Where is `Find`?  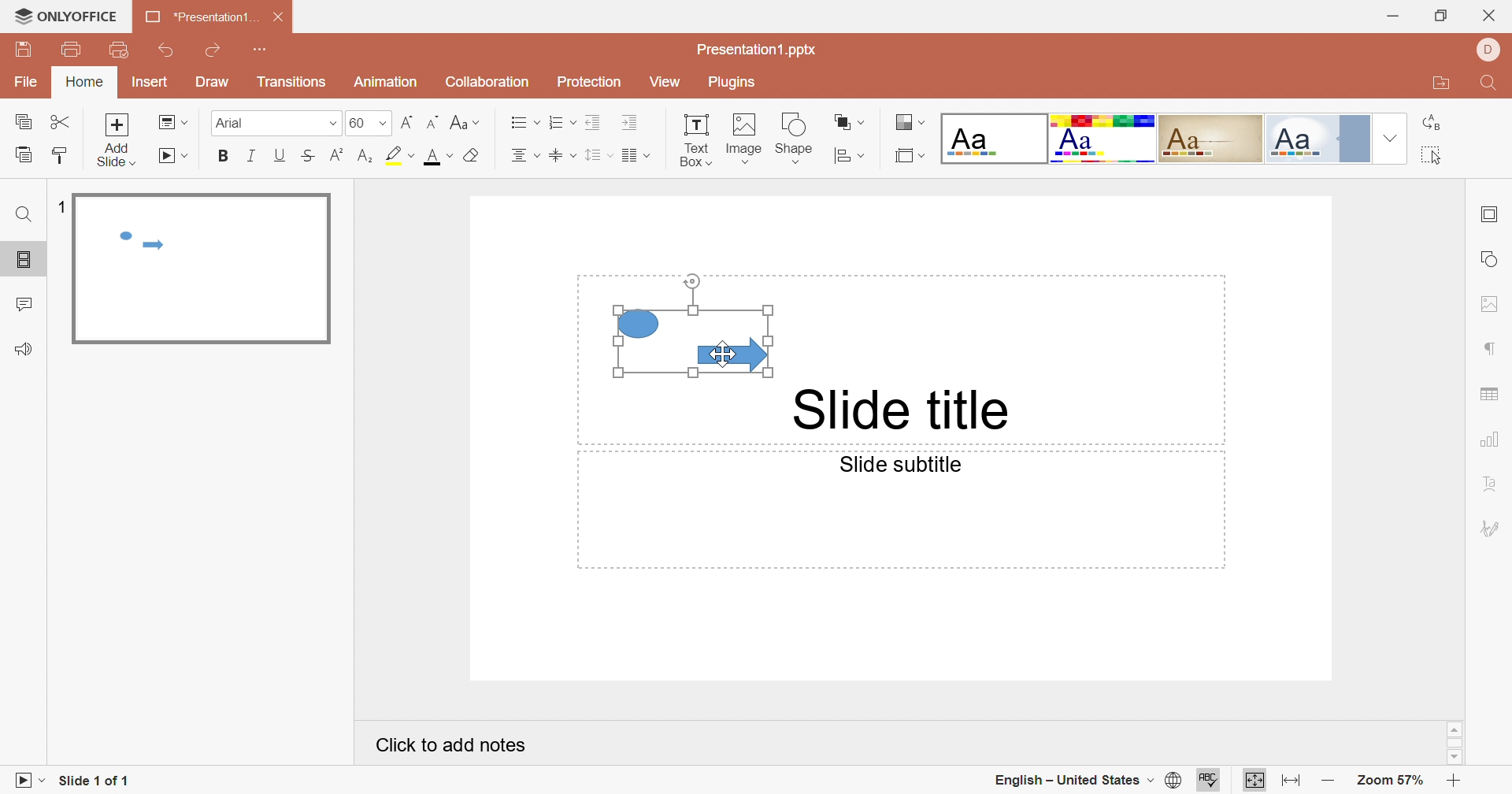 Find is located at coordinates (24, 216).